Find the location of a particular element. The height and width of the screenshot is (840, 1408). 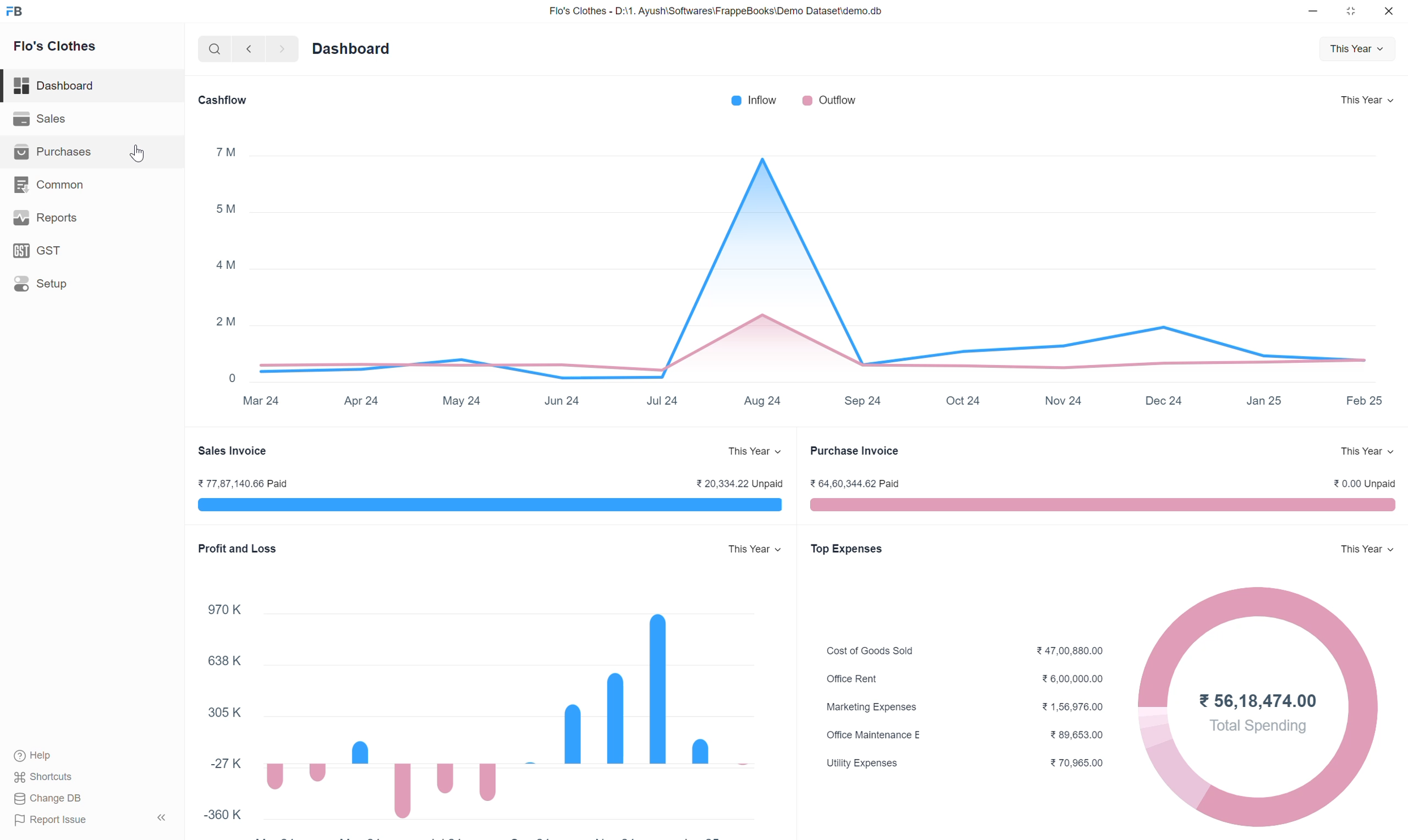

Inflow is located at coordinates (757, 100).